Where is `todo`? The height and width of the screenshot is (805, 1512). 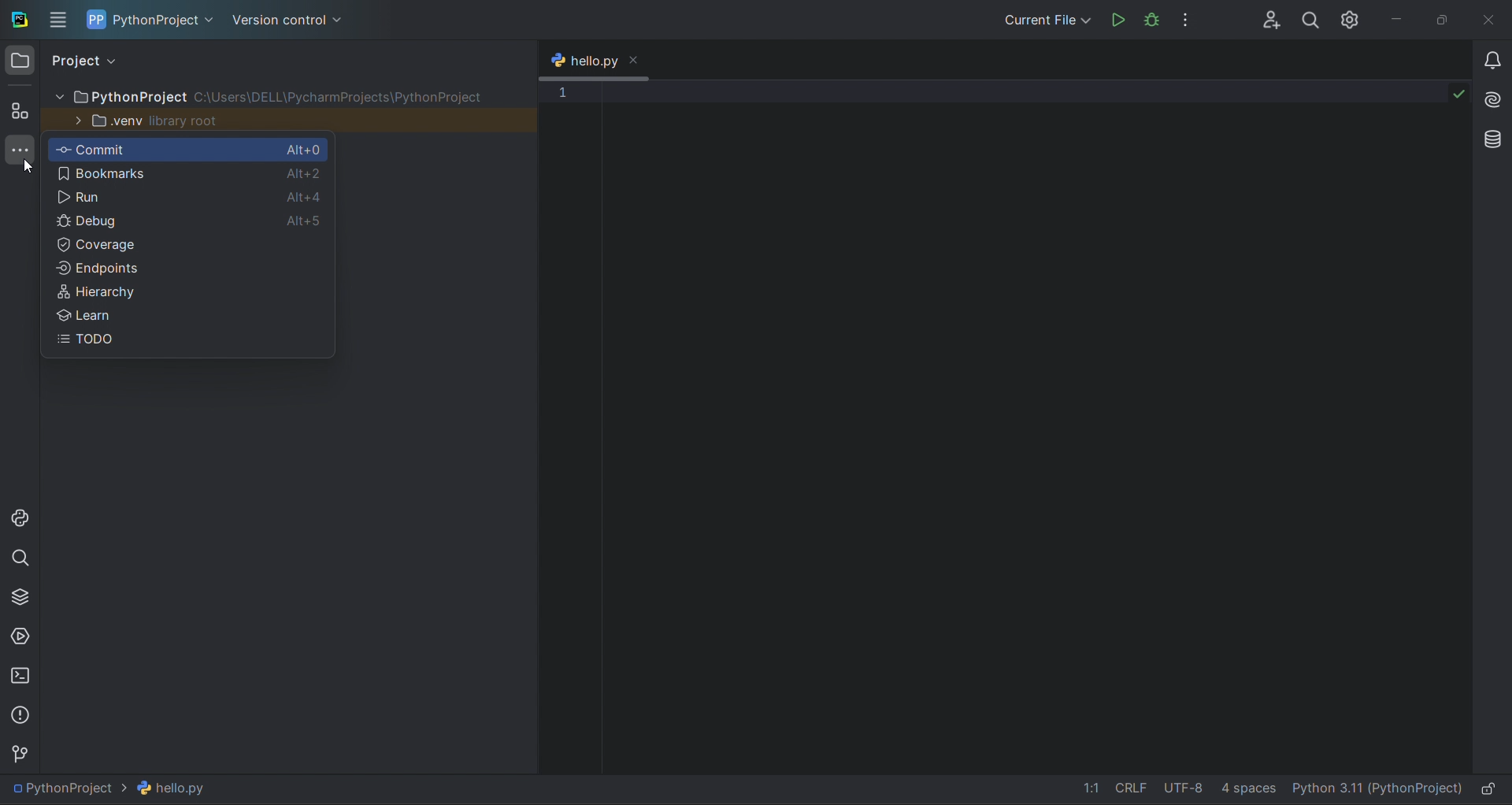 todo is located at coordinates (188, 343).